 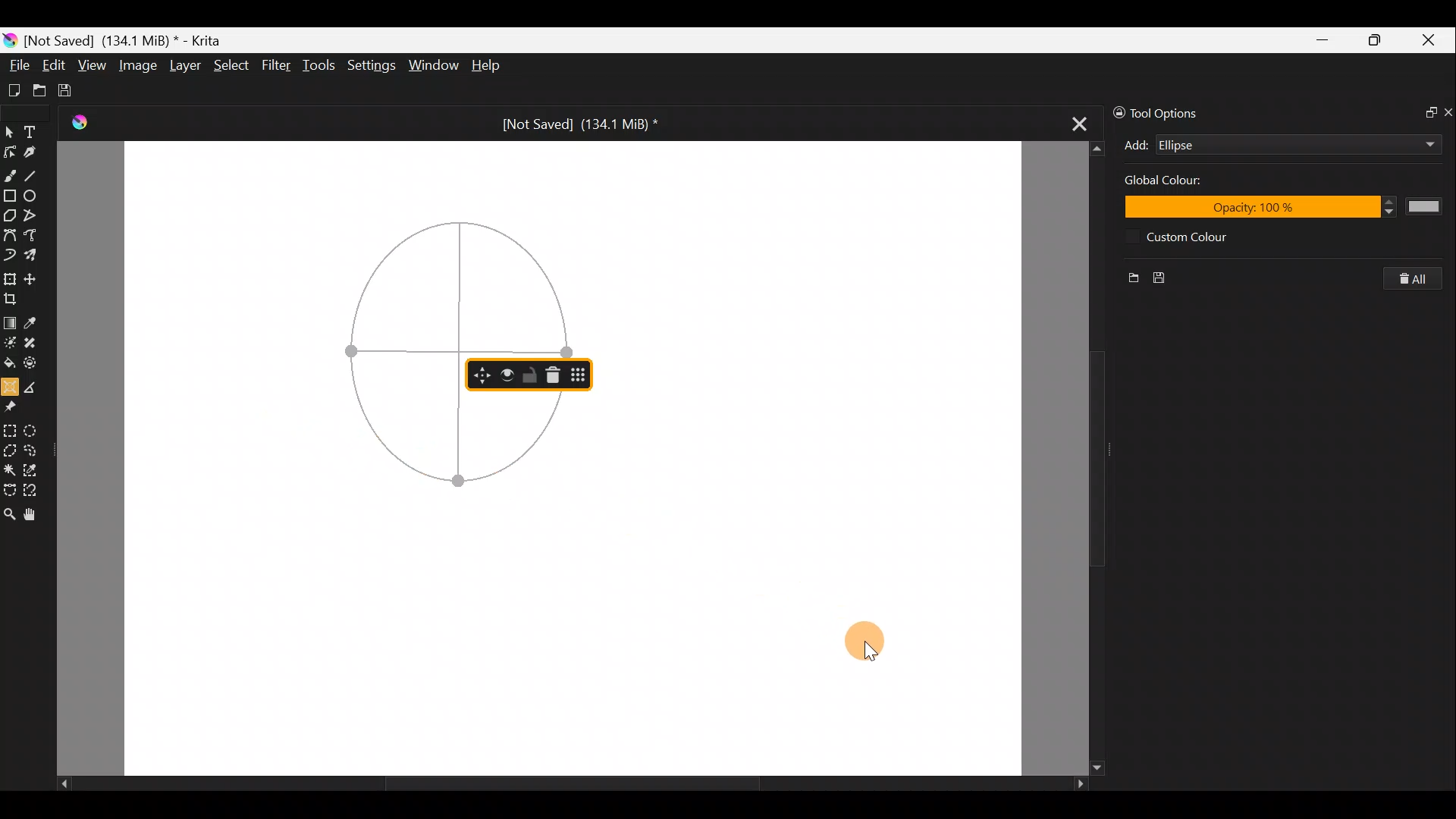 I want to click on Float docker, so click(x=1424, y=114).